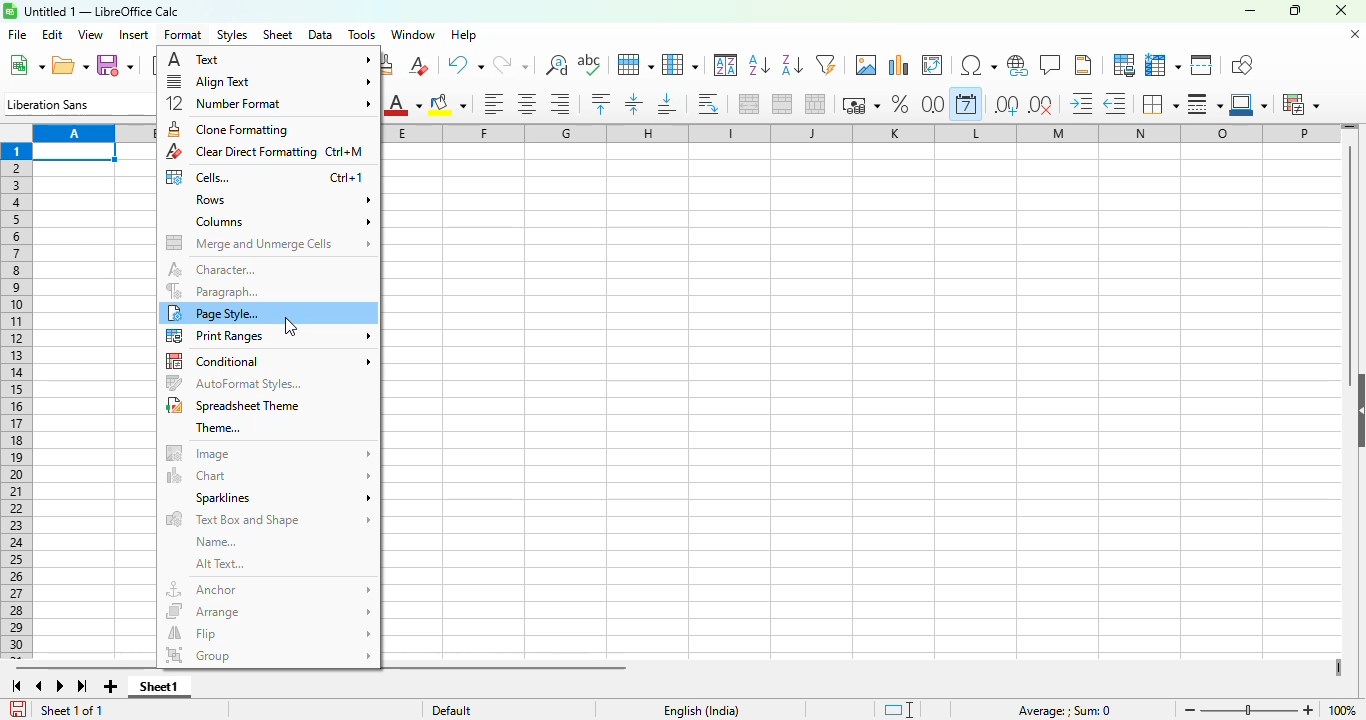 The image size is (1366, 720). Describe the element at coordinates (860, 105) in the screenshot. I see `format as currency` at that location.